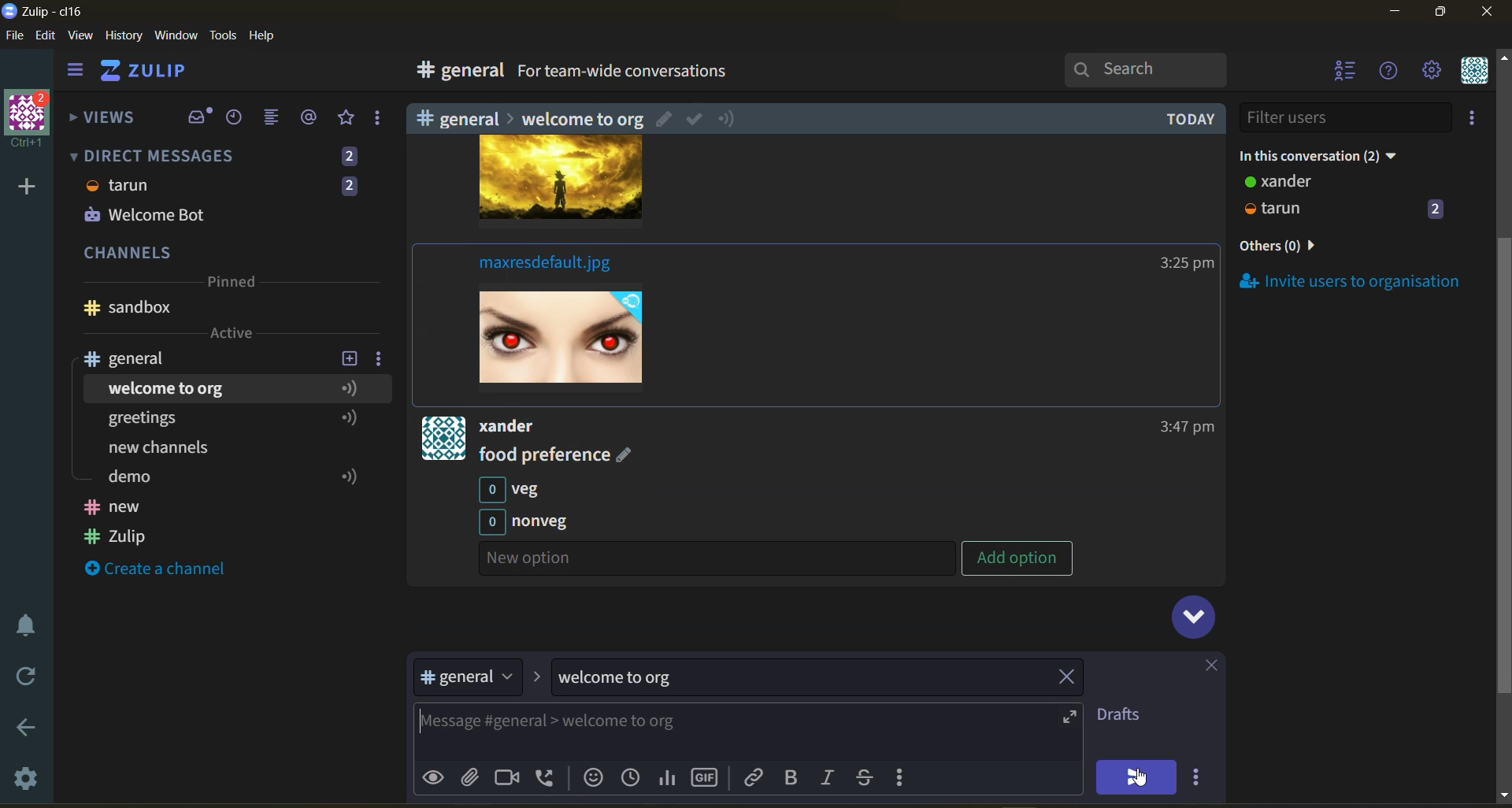 The height and width of the screenshot is (808, 1512). Describe the element at coordinates (470, 676) in the screenshot. I see `stream/channel` at that location.